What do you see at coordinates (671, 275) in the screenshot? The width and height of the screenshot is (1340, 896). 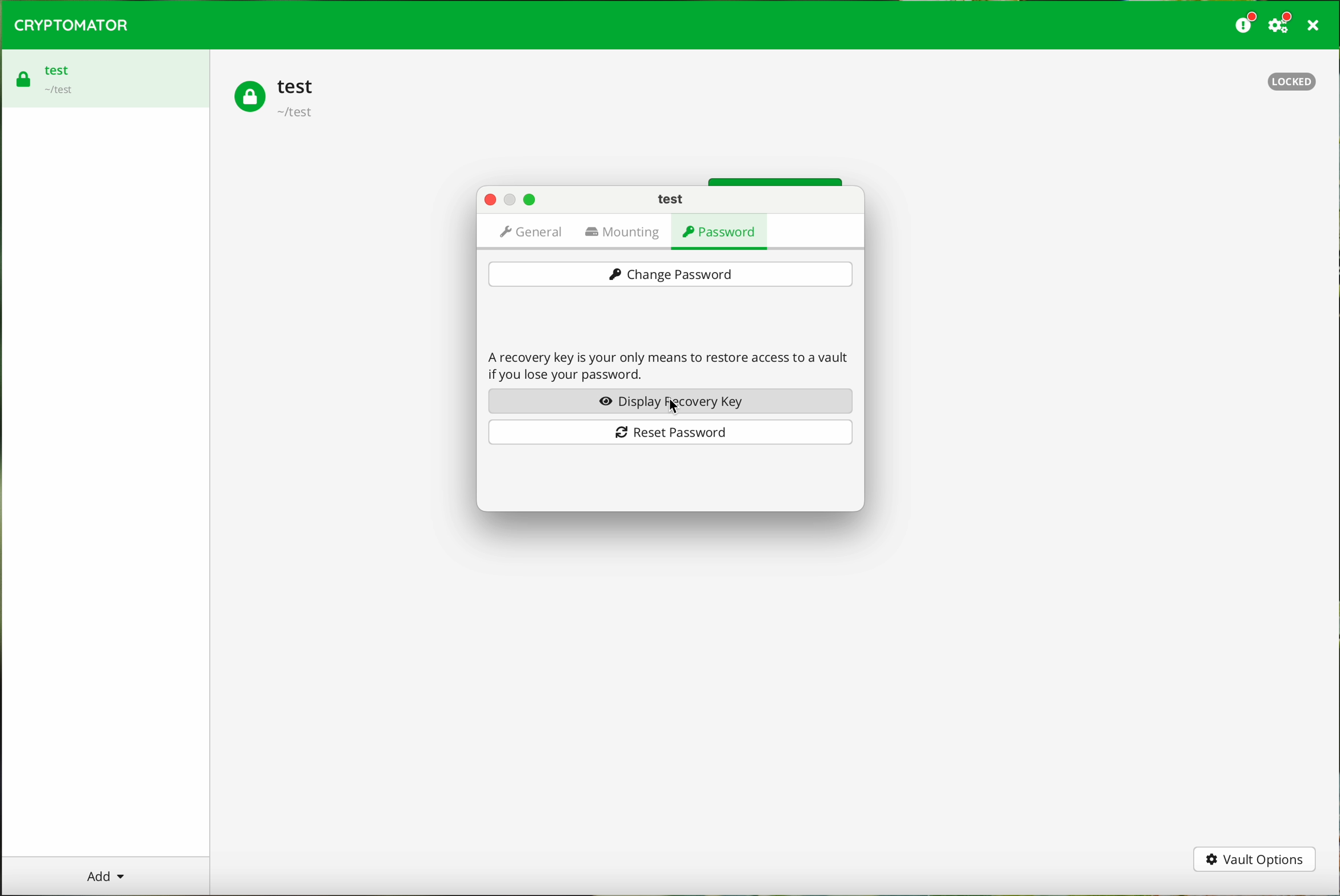 I see `change password` at bounding box center [671, 275].